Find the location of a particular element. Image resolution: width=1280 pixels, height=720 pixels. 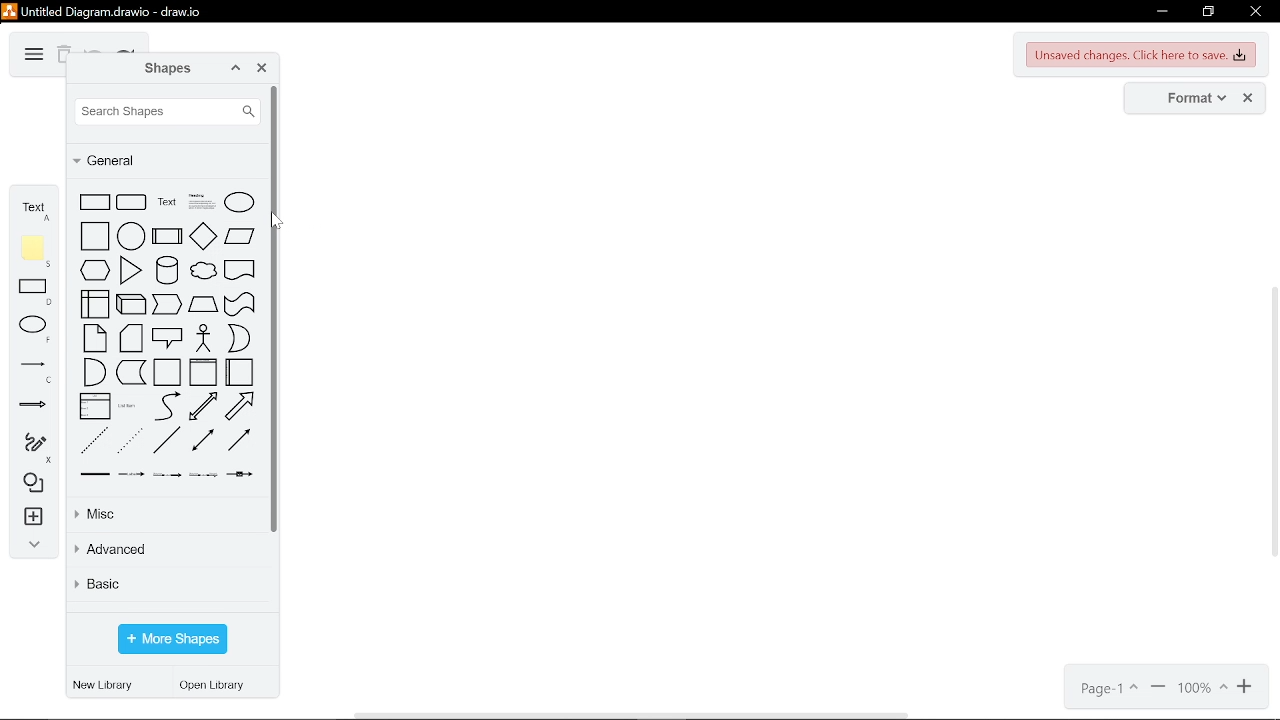

connector with label is located at coordinates (132, 474).